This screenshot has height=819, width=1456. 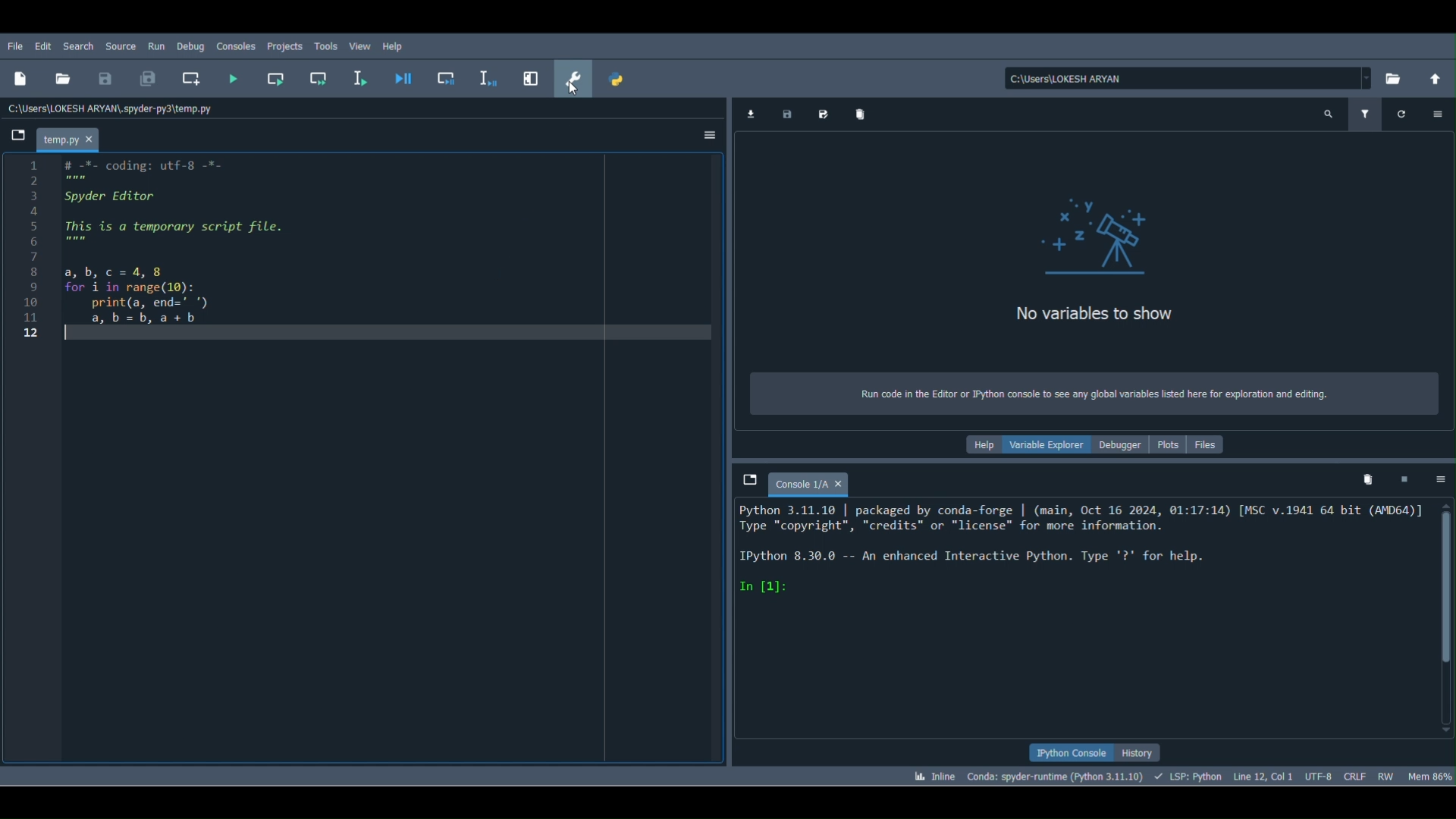 I want to click on Options, so click(x=1435, y=478).